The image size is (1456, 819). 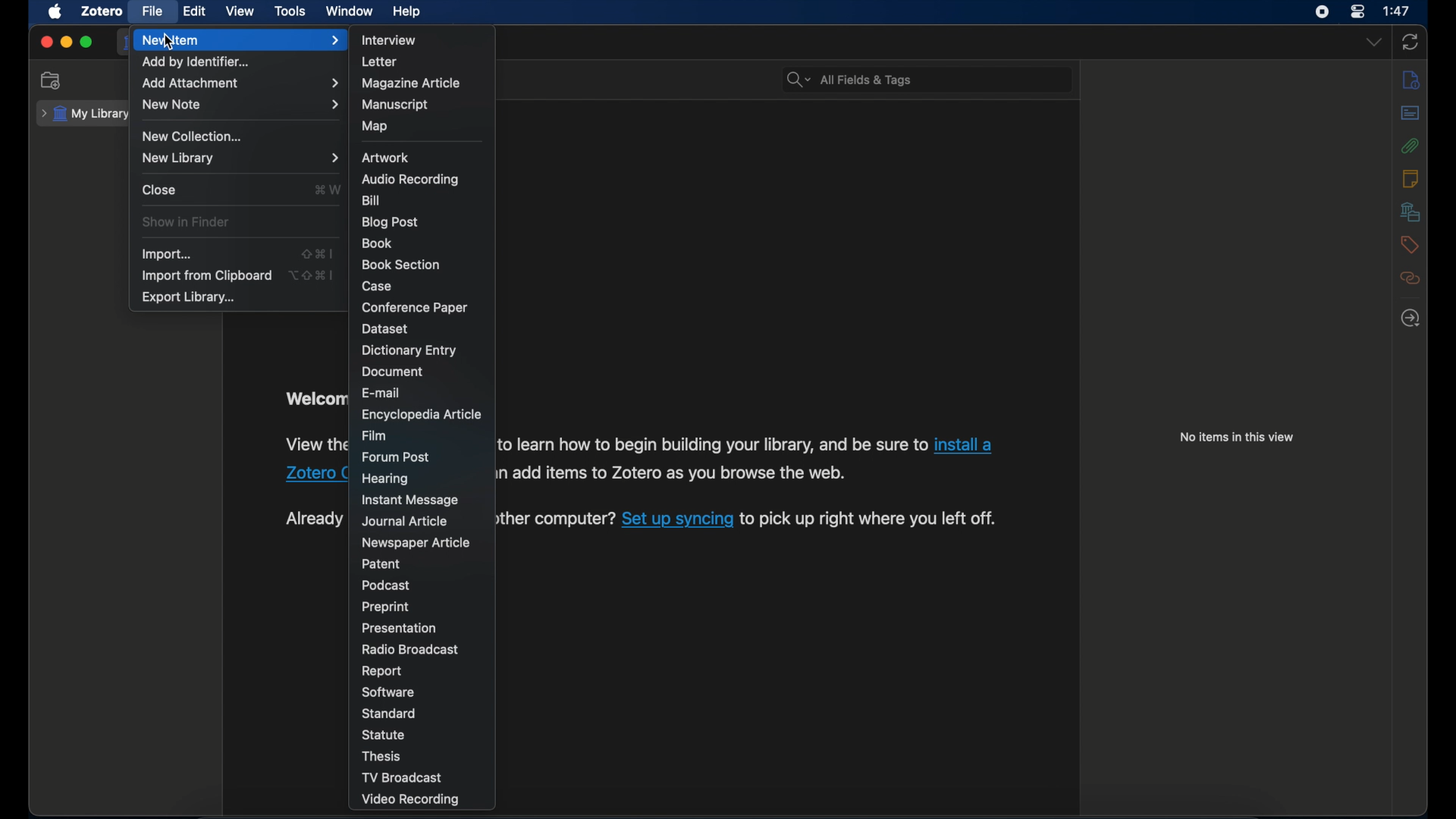 I want to click on option + shift + command + I, so click(x=310, y=275).